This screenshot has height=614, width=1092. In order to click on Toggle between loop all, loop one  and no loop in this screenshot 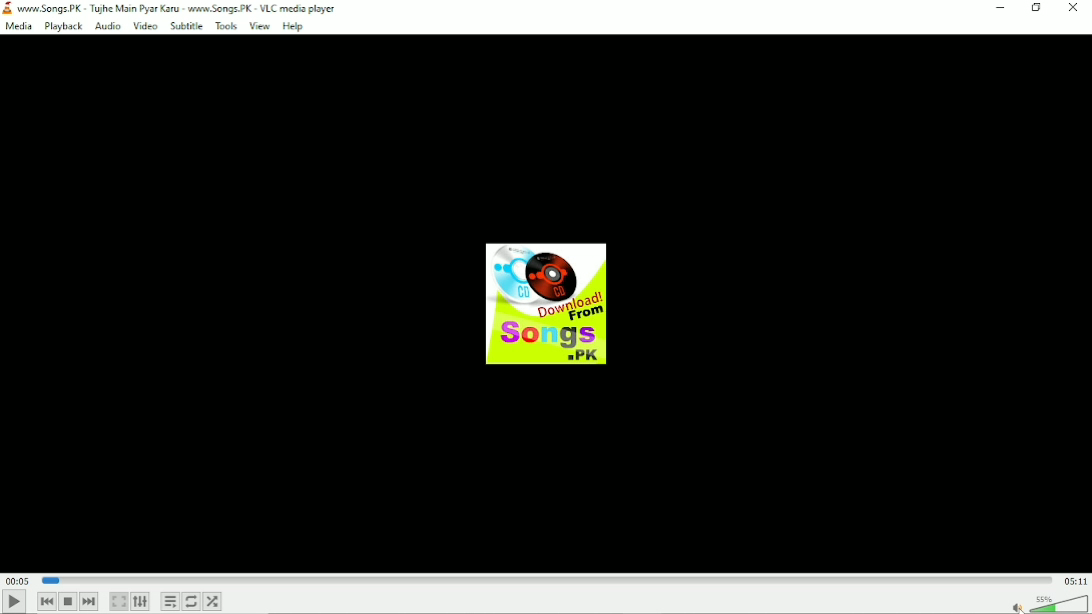, I will do `click(192, 602)`.